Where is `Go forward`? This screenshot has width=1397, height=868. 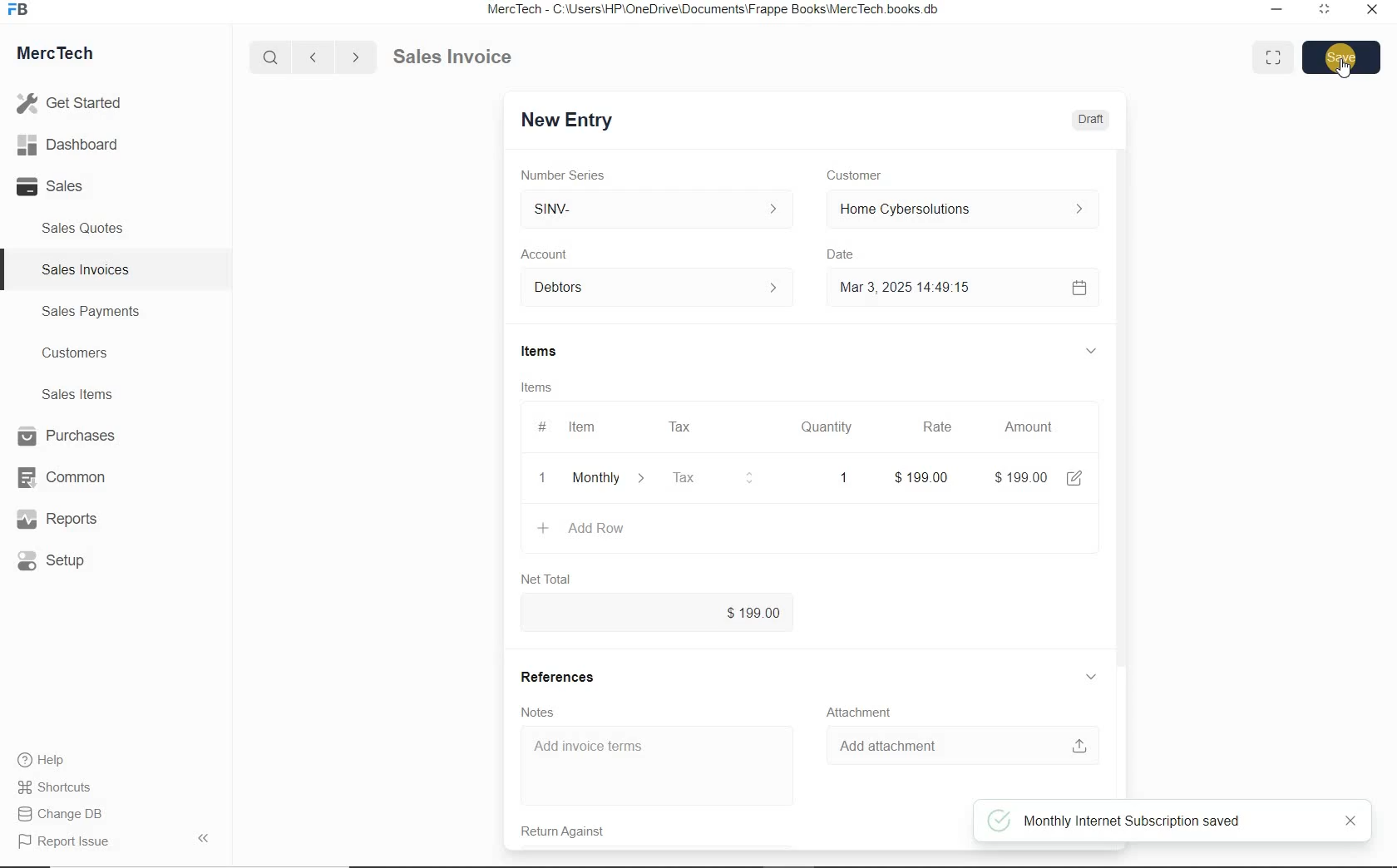 Go forward is located at coordinates (355, 57).